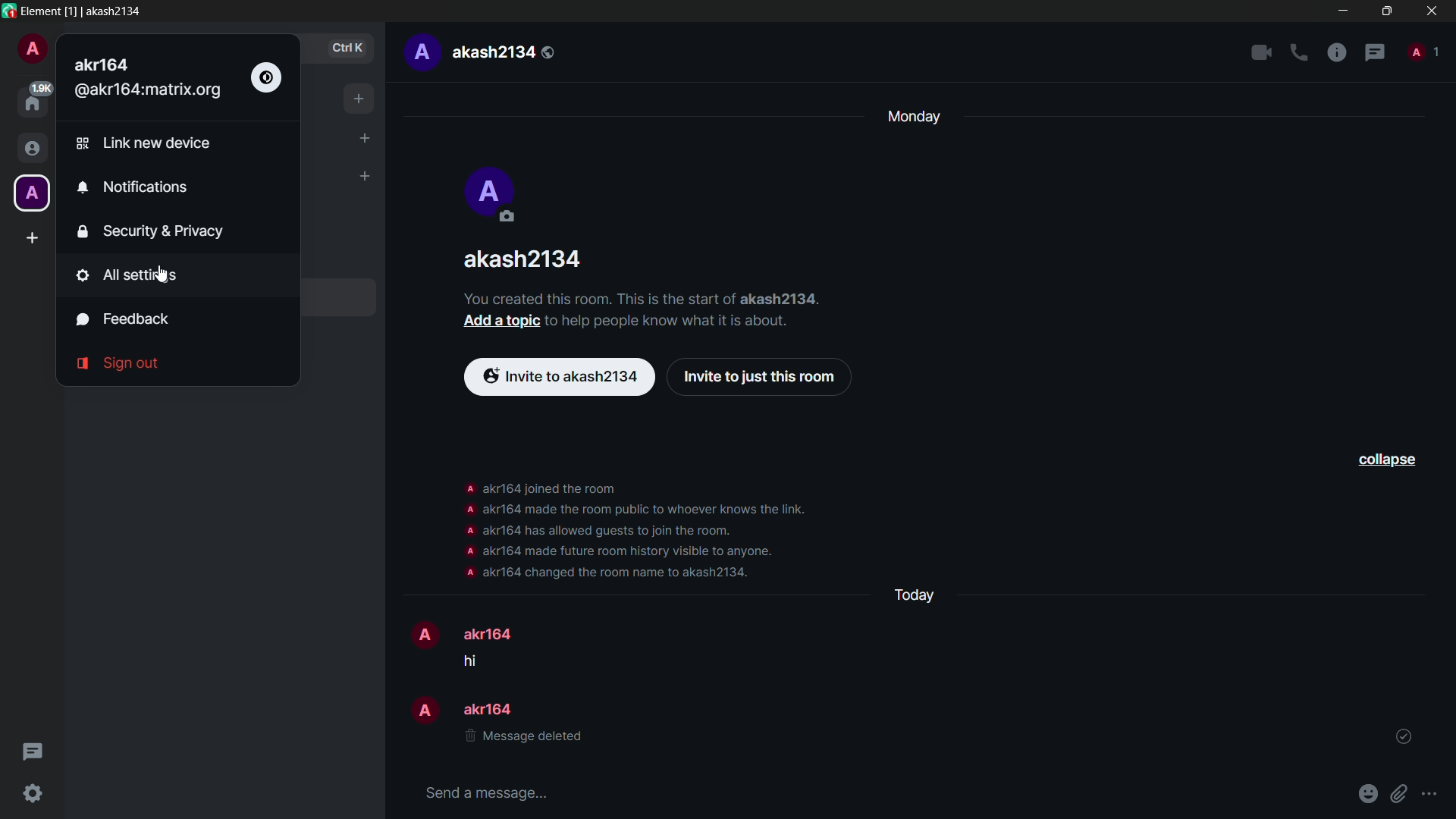  I want to click on @akr164:matrix.org, so click(149, 92).